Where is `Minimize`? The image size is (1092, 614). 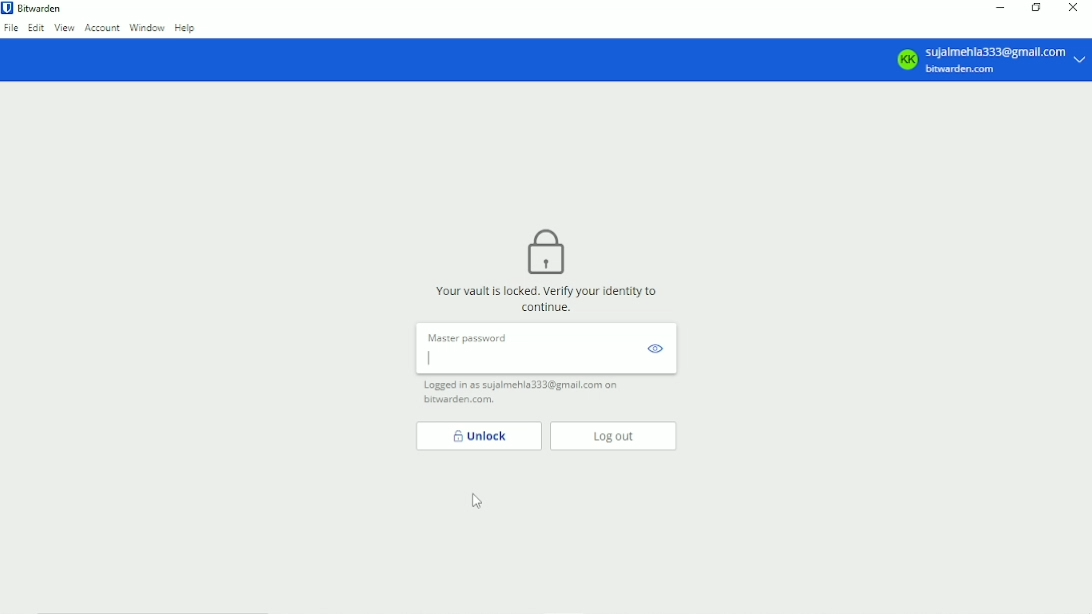
Minimize is located at coordinates (1001, 7).